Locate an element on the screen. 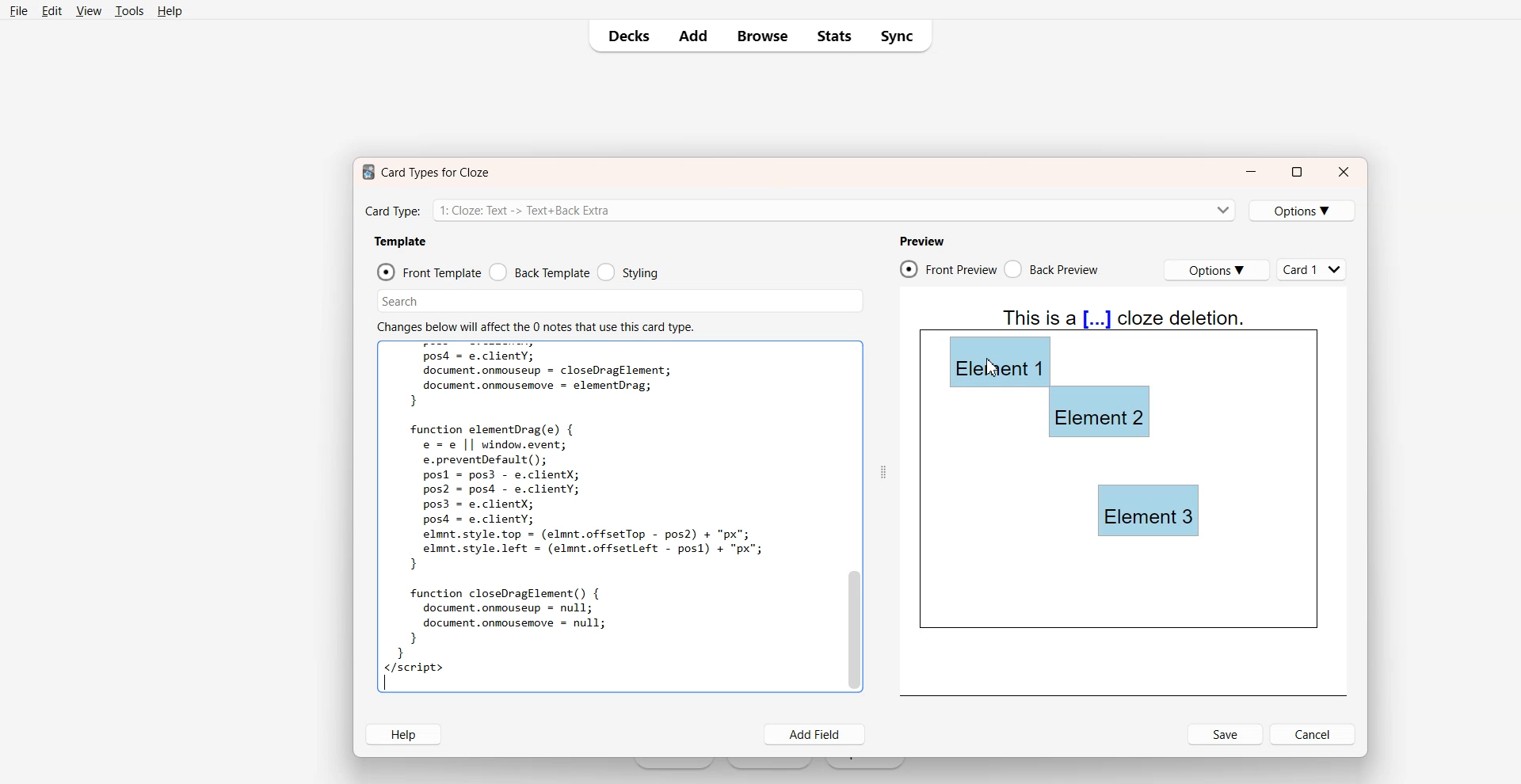 The image size is (1521, 784). Help is located at coordinates (402, 734).